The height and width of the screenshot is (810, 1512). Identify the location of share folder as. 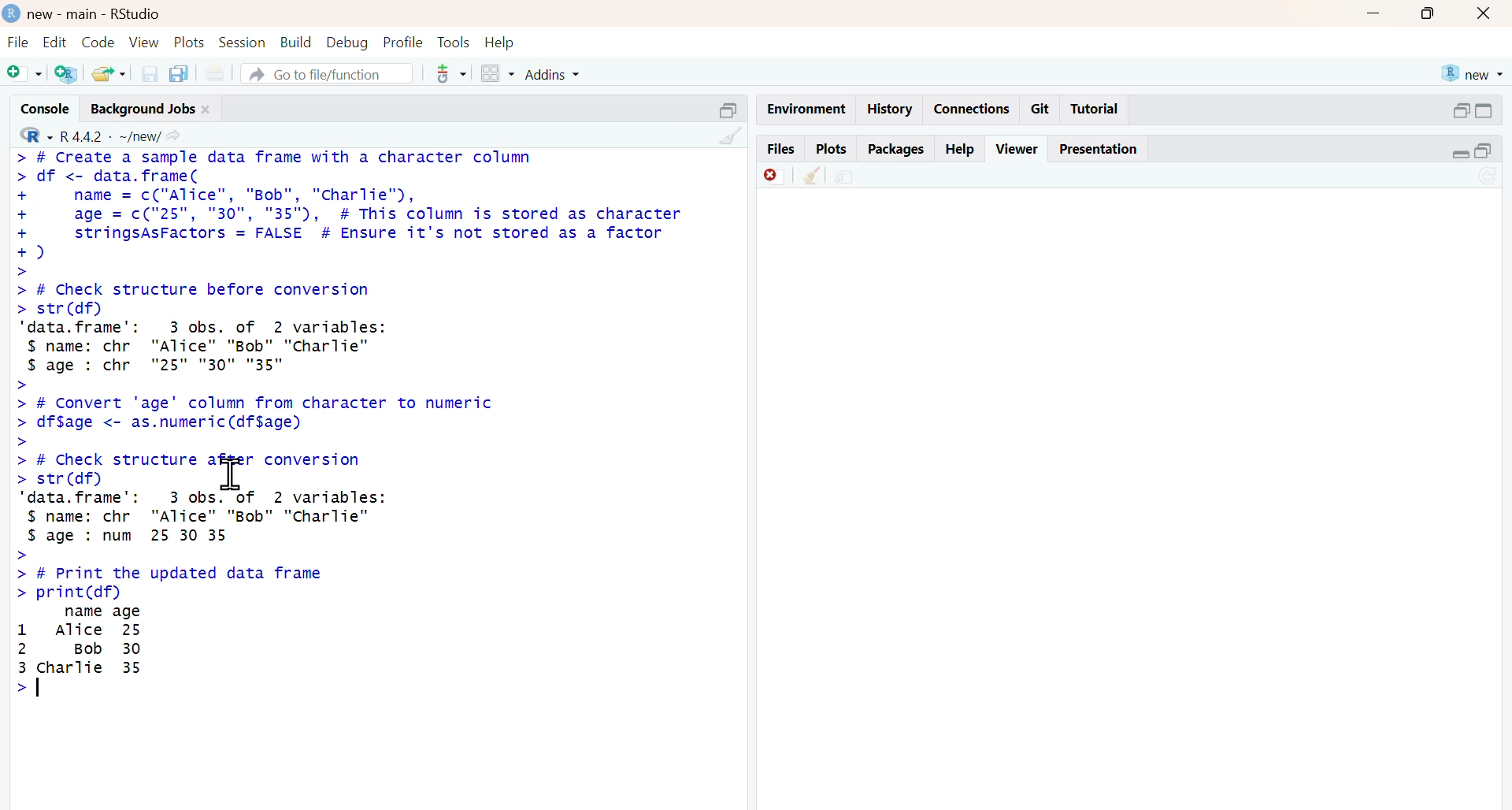
(111, 73).